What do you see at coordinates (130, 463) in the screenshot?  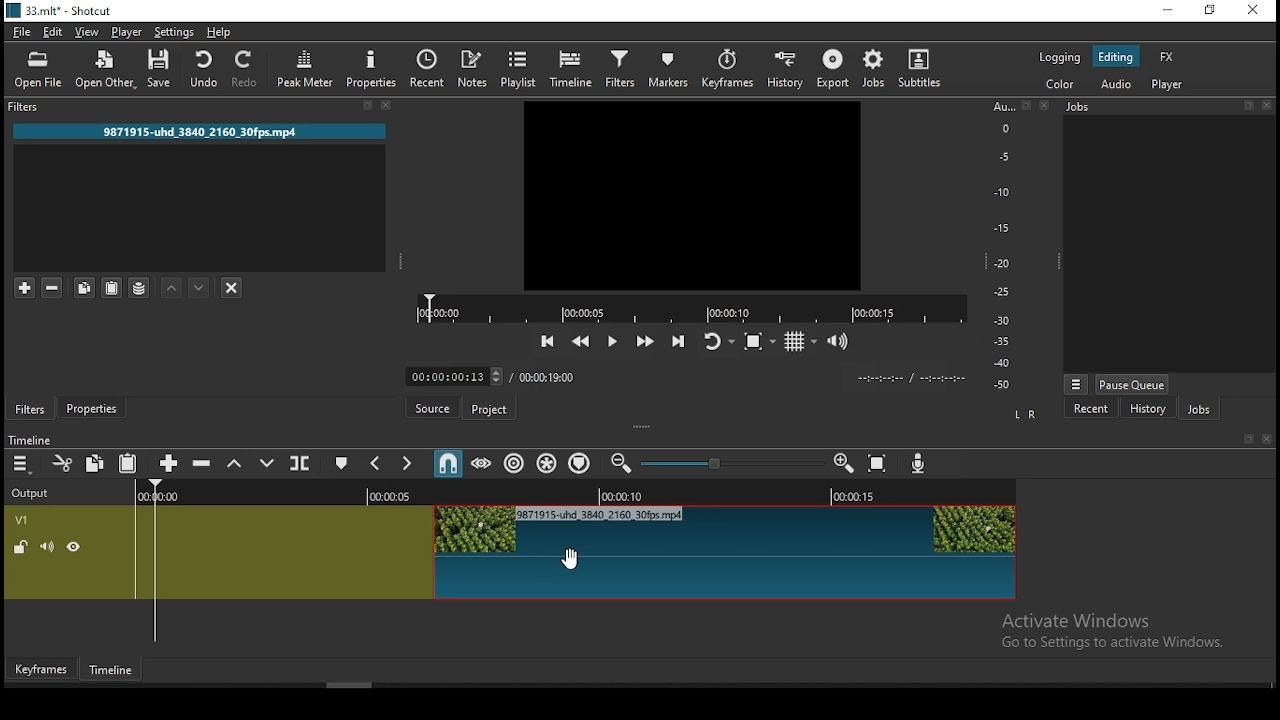 I see `paste` at bounding box center [130, 463].